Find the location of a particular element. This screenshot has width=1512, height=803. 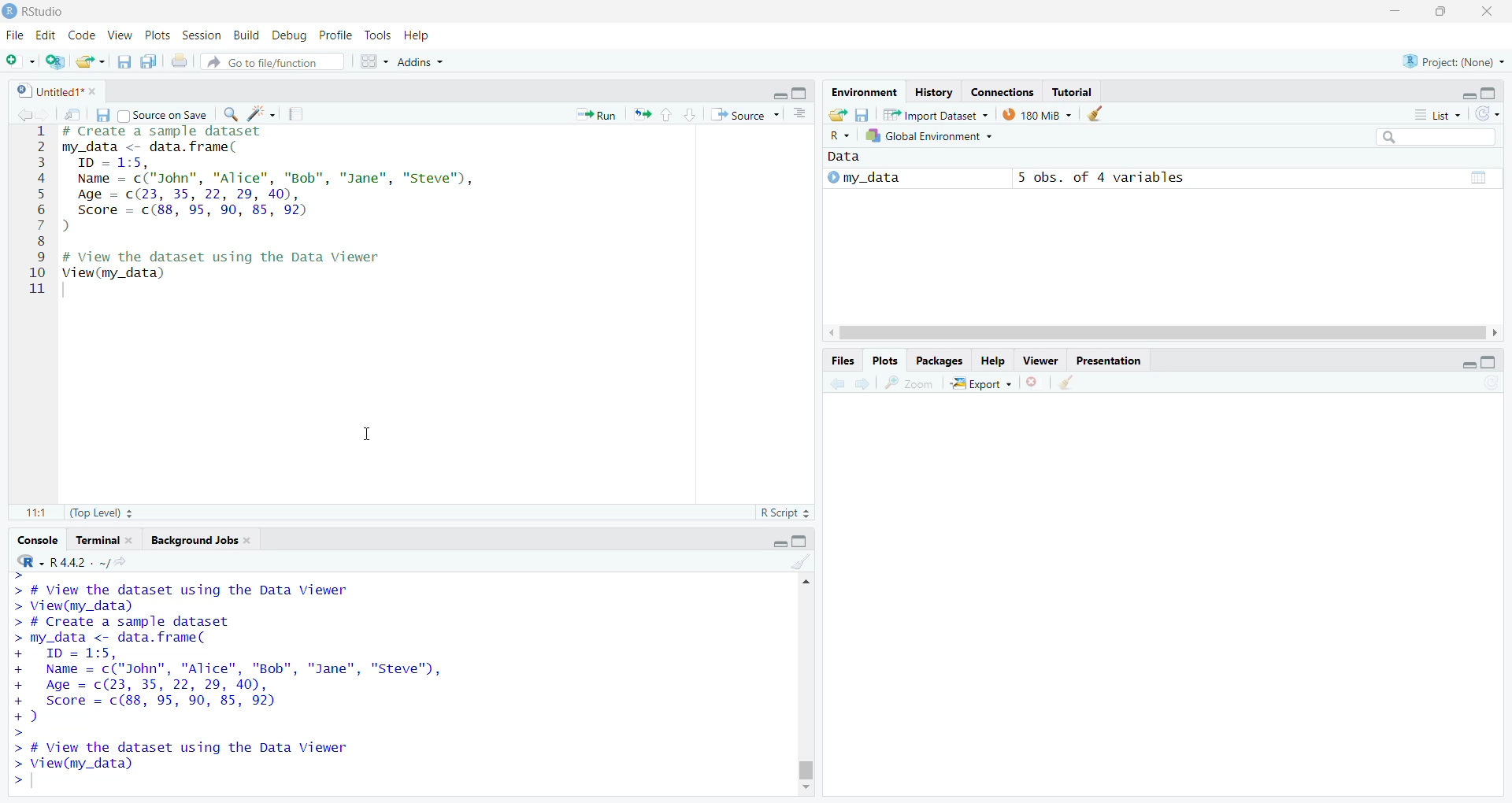

Edit is located at coordinates (47, 35).